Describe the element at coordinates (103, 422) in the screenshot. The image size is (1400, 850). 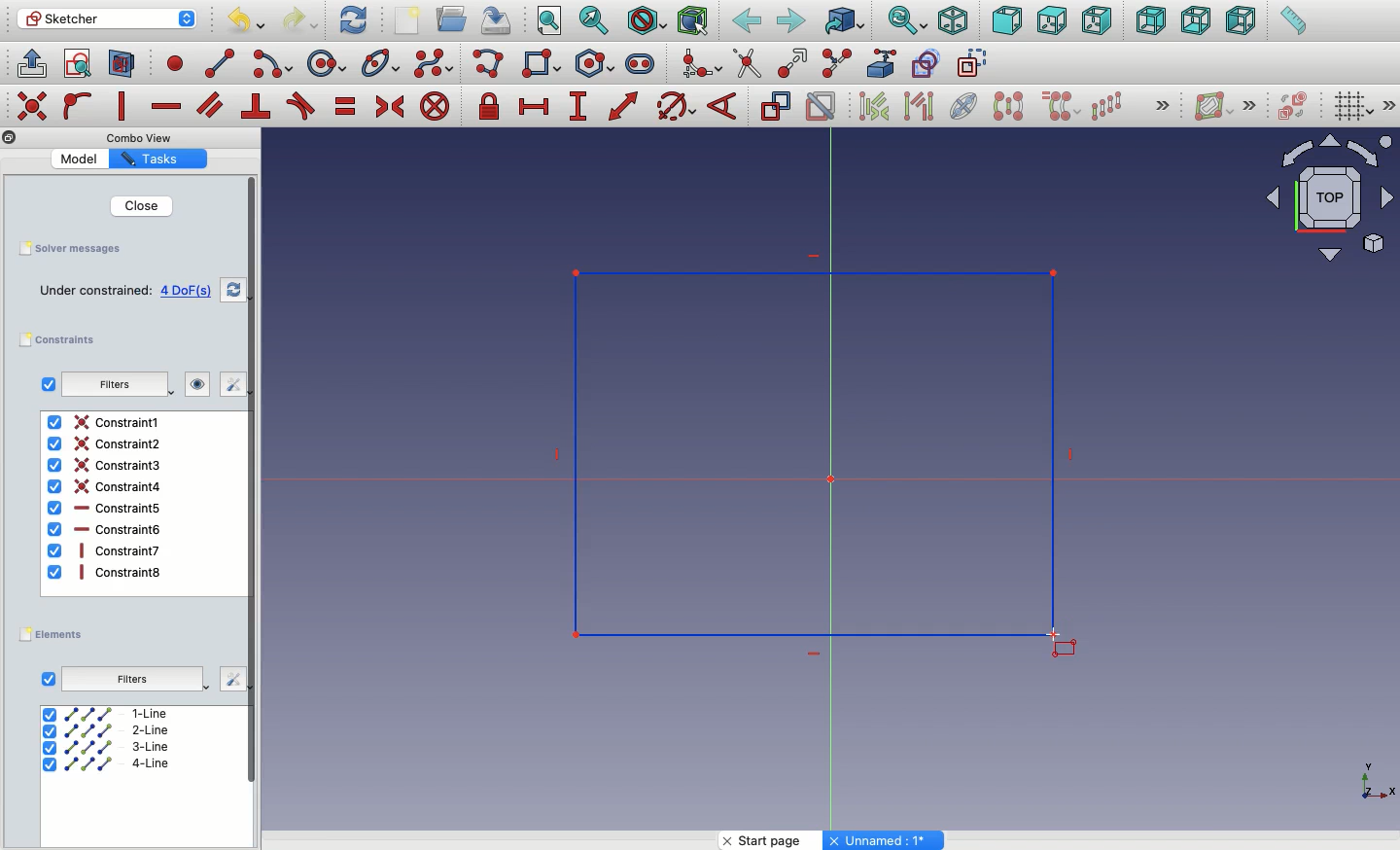
I see `Constraint1` at that location.